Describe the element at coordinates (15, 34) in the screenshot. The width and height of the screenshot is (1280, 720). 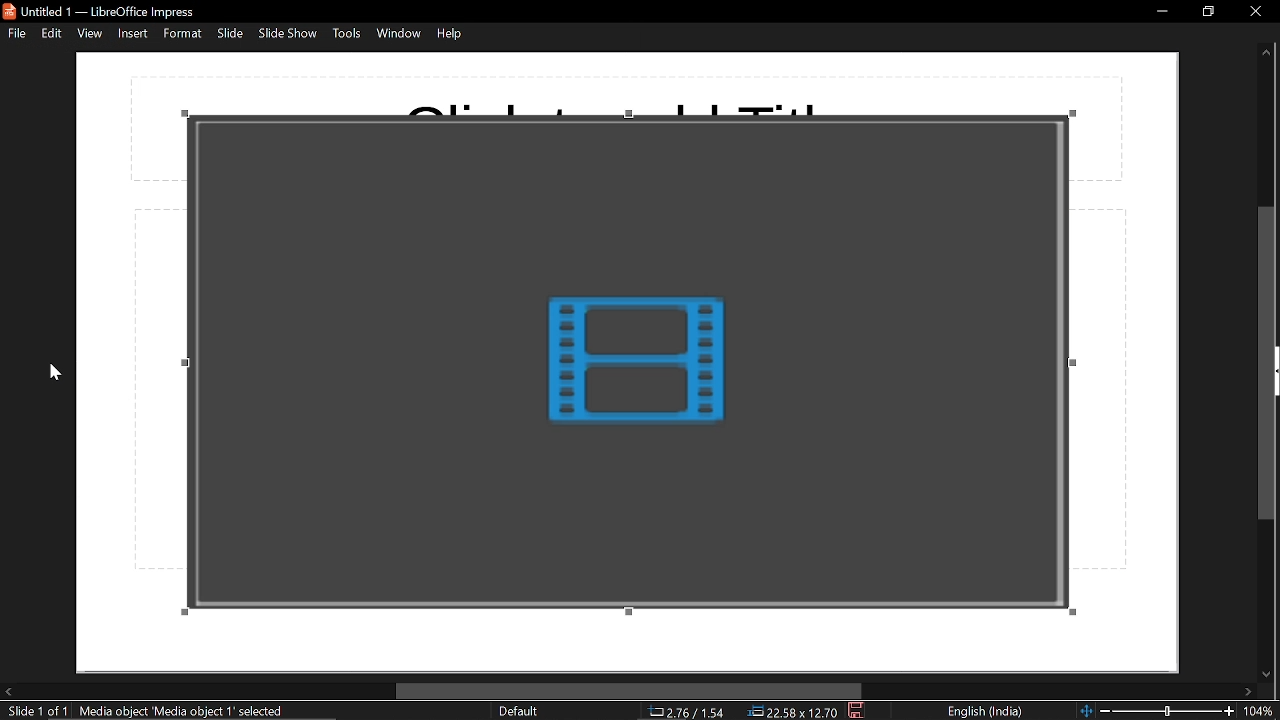
I see `file` at that location.